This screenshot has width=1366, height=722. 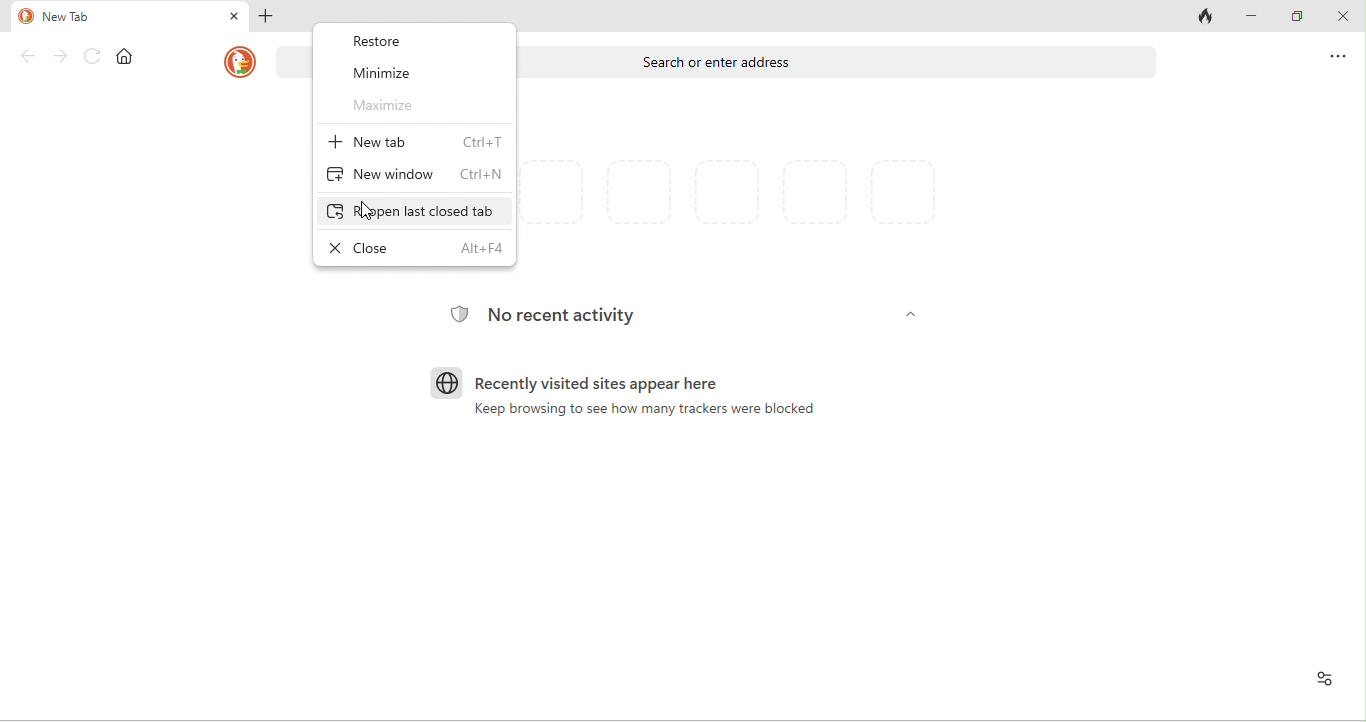 I want to click on duckduck go logo, so click(x=239, y=63).